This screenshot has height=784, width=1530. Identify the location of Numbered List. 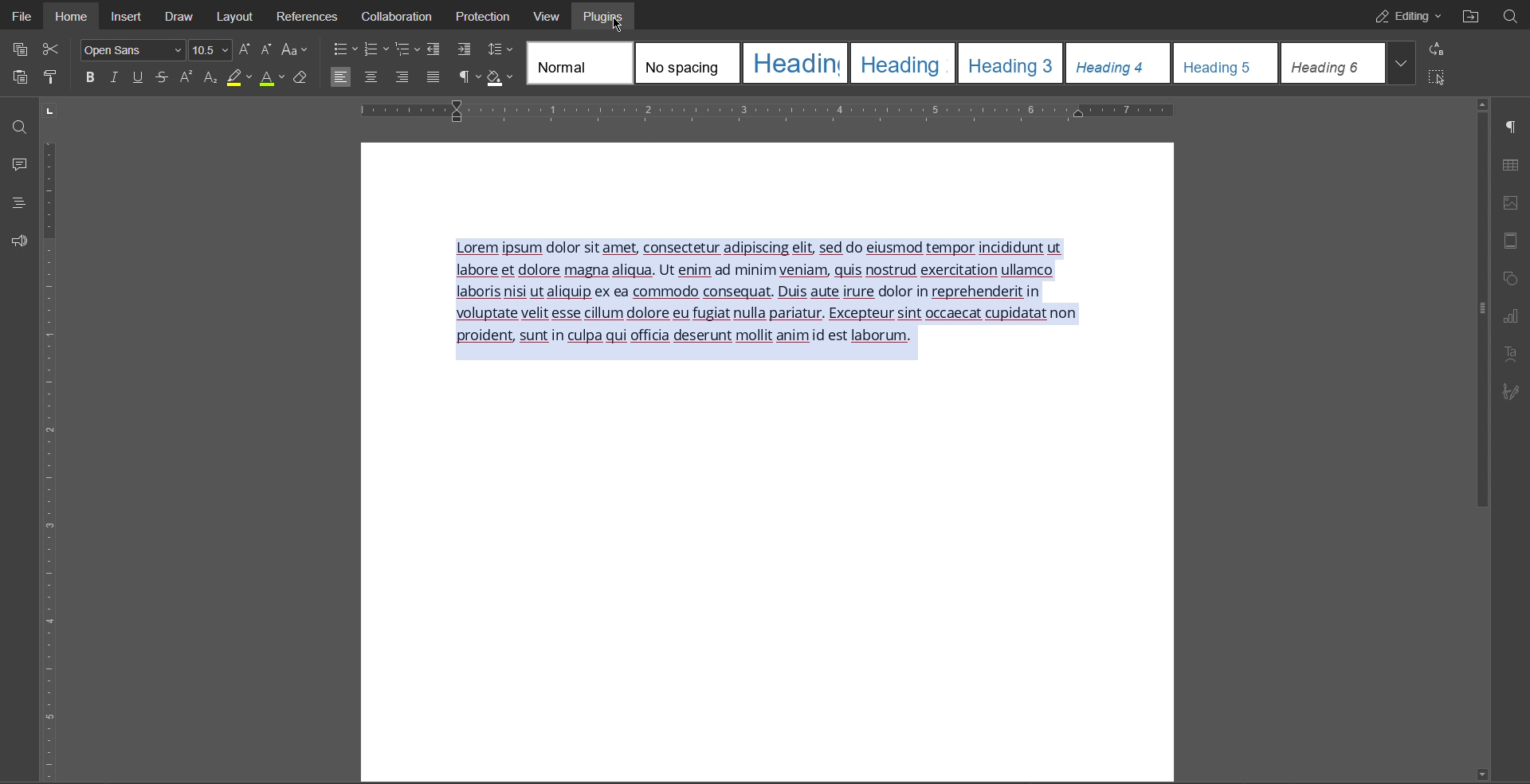
(379, 49).